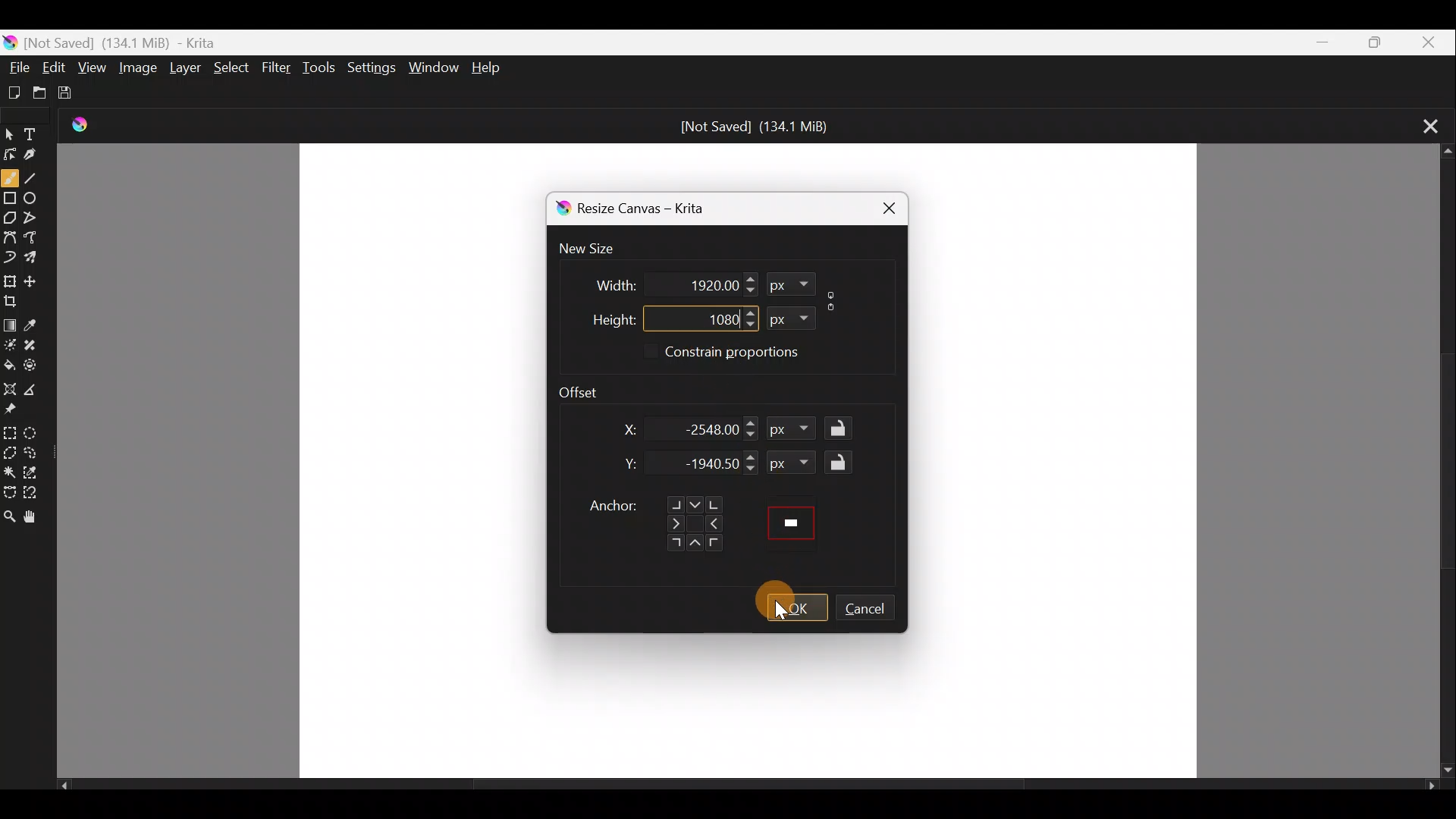 This screenshot has height=819, width=1456. I want to click on Width, so click(604, 281).